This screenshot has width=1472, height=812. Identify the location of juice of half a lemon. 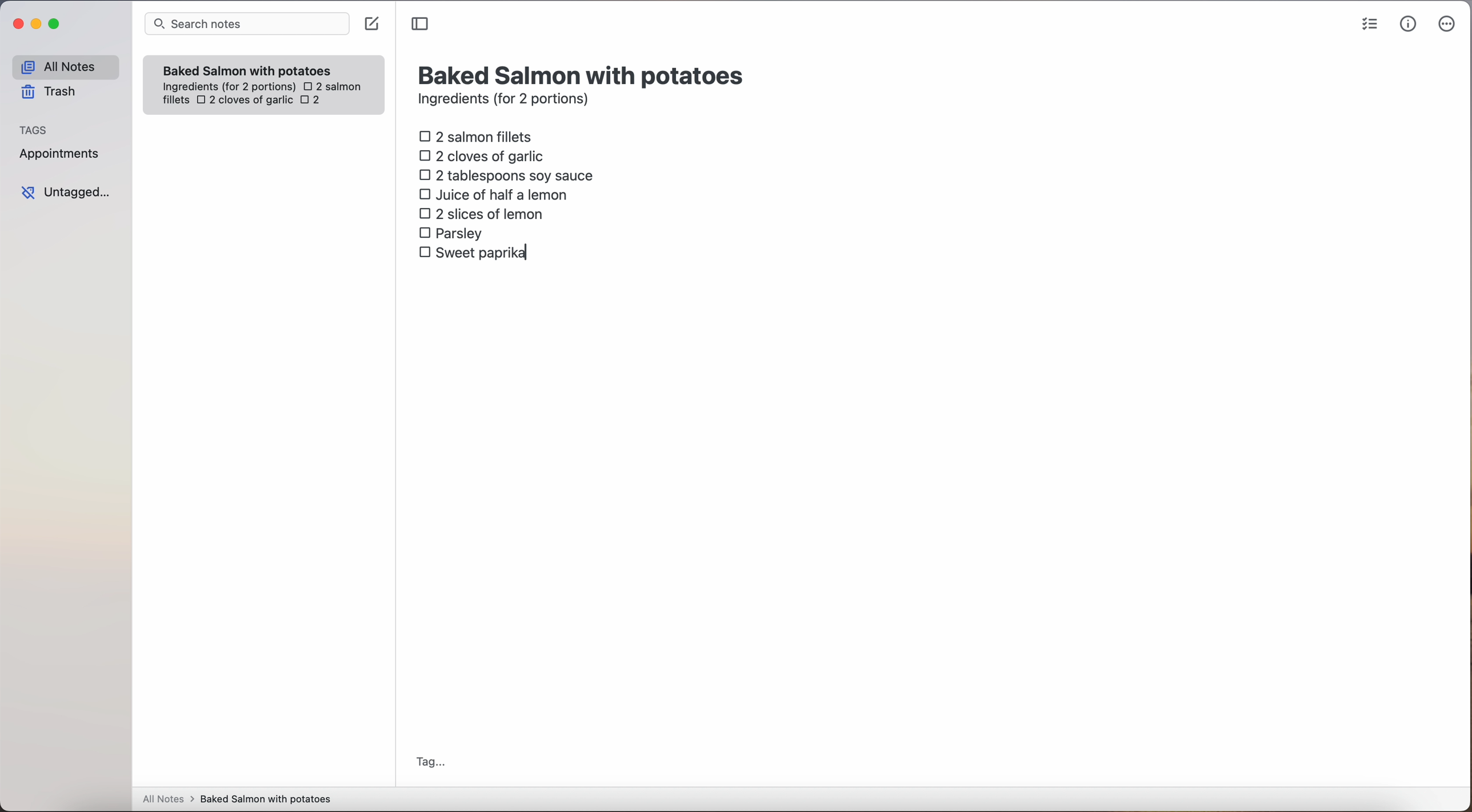
(497, 194).